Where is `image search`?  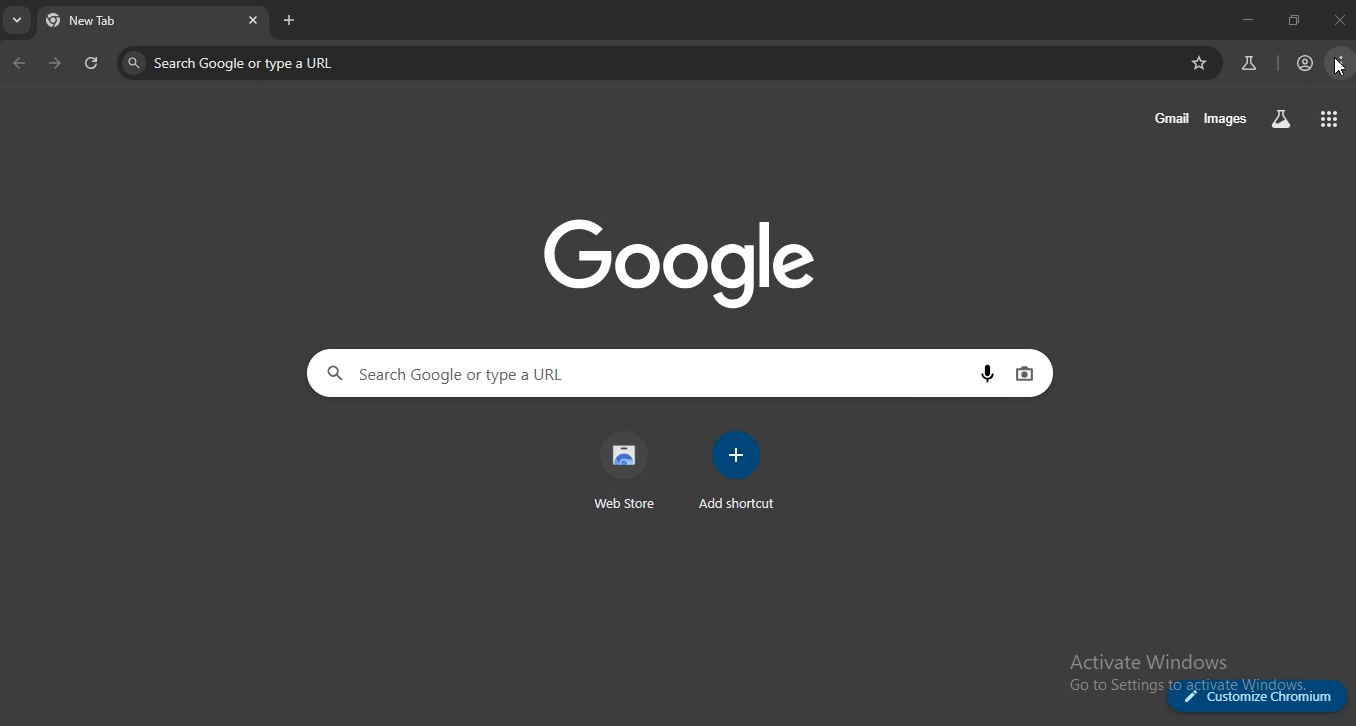
image search is located at coordinates (1025, 373).